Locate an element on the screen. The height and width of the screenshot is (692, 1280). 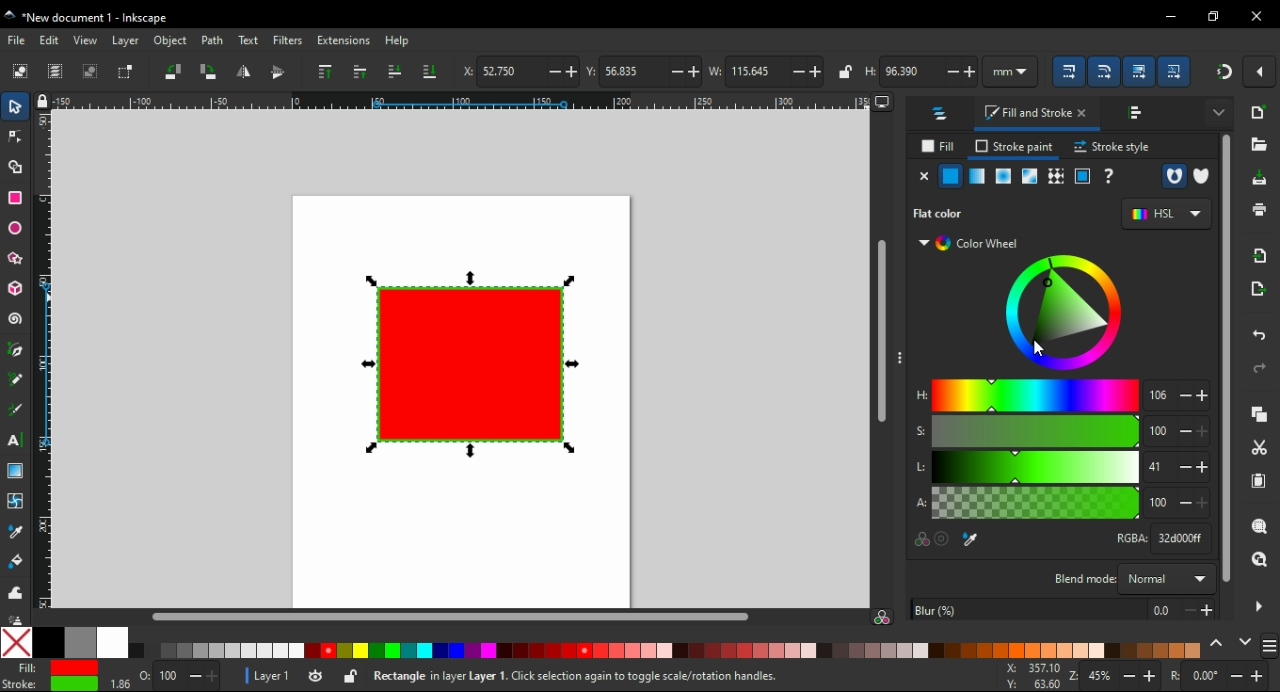
scroll bar is located at coordinates (877, 334).